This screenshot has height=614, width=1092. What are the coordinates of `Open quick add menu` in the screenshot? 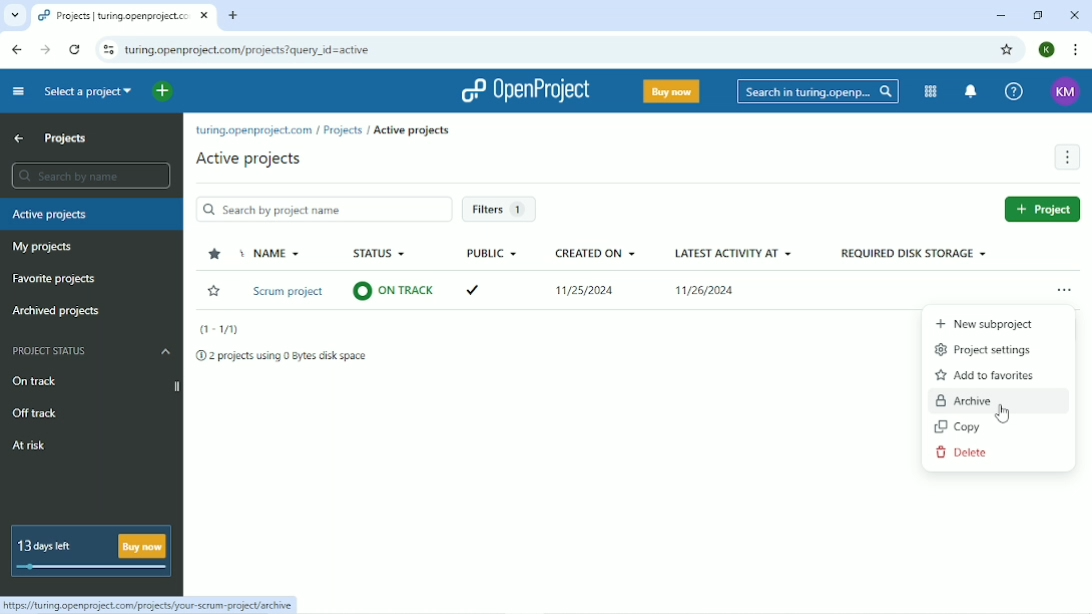 It's located at (163, 92).